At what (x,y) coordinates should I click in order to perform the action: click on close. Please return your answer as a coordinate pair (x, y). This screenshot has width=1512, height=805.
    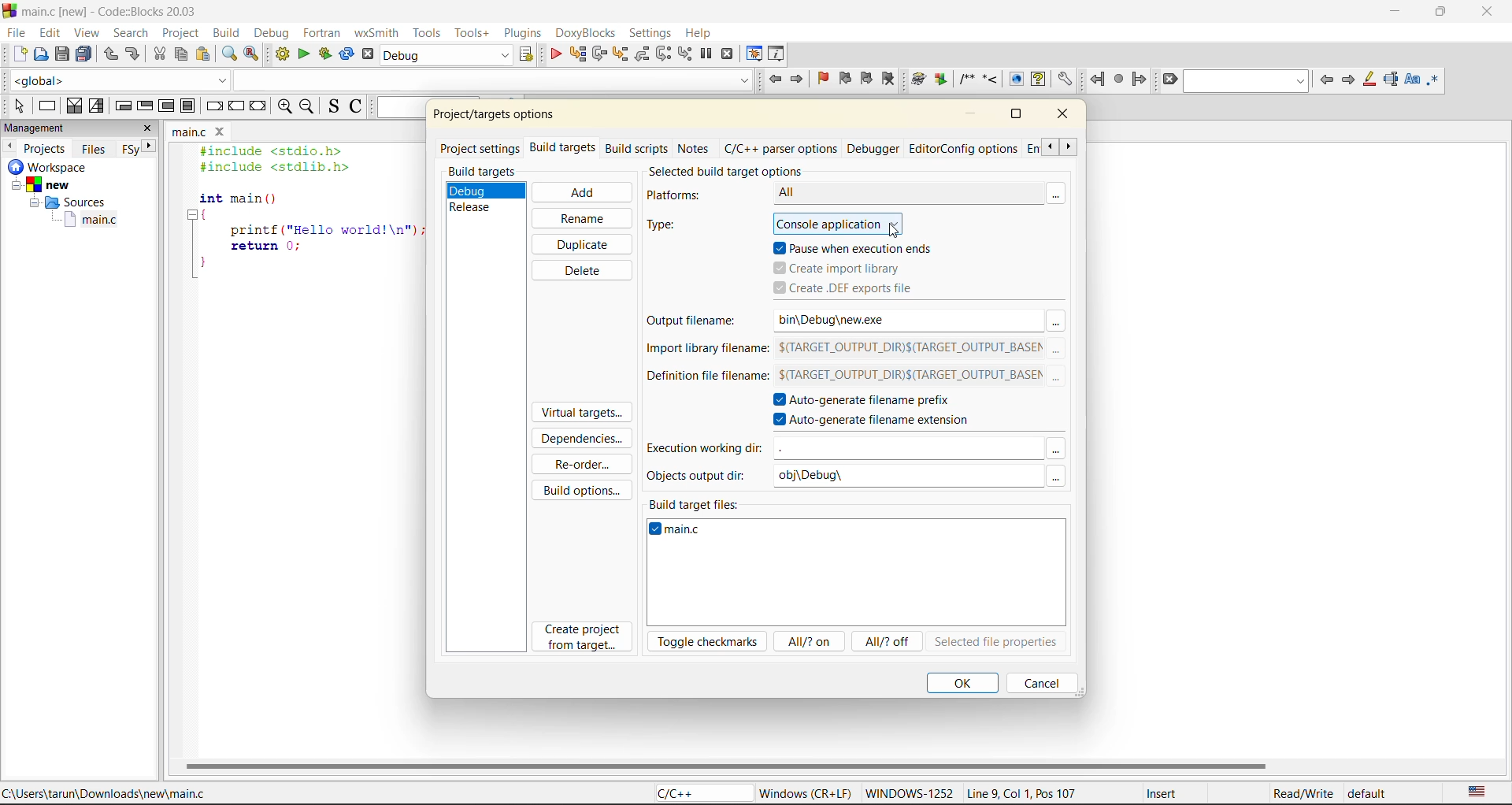
    Looking at the image, I should click on (1064, 114).